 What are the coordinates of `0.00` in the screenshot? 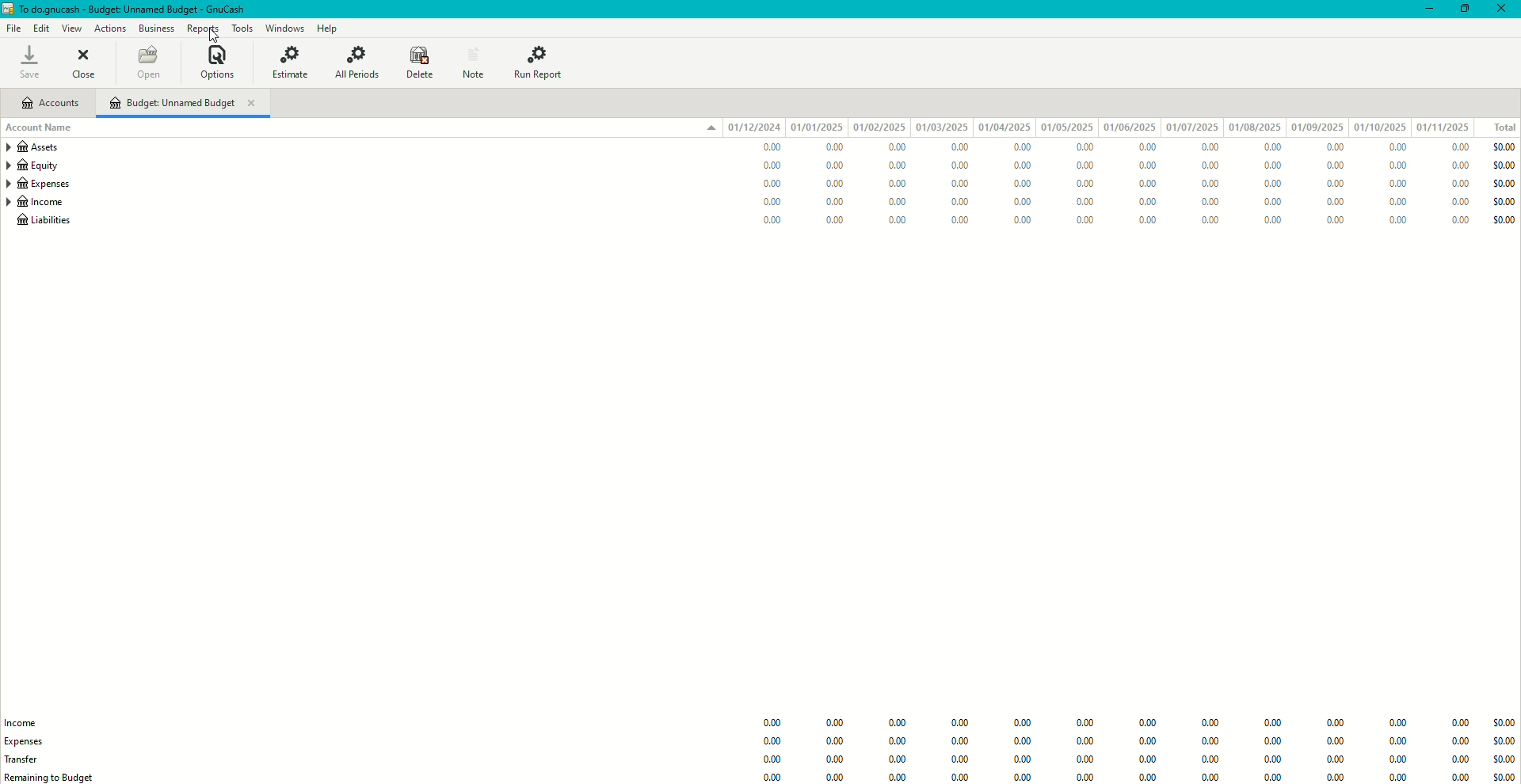 It's located at (898, 723).